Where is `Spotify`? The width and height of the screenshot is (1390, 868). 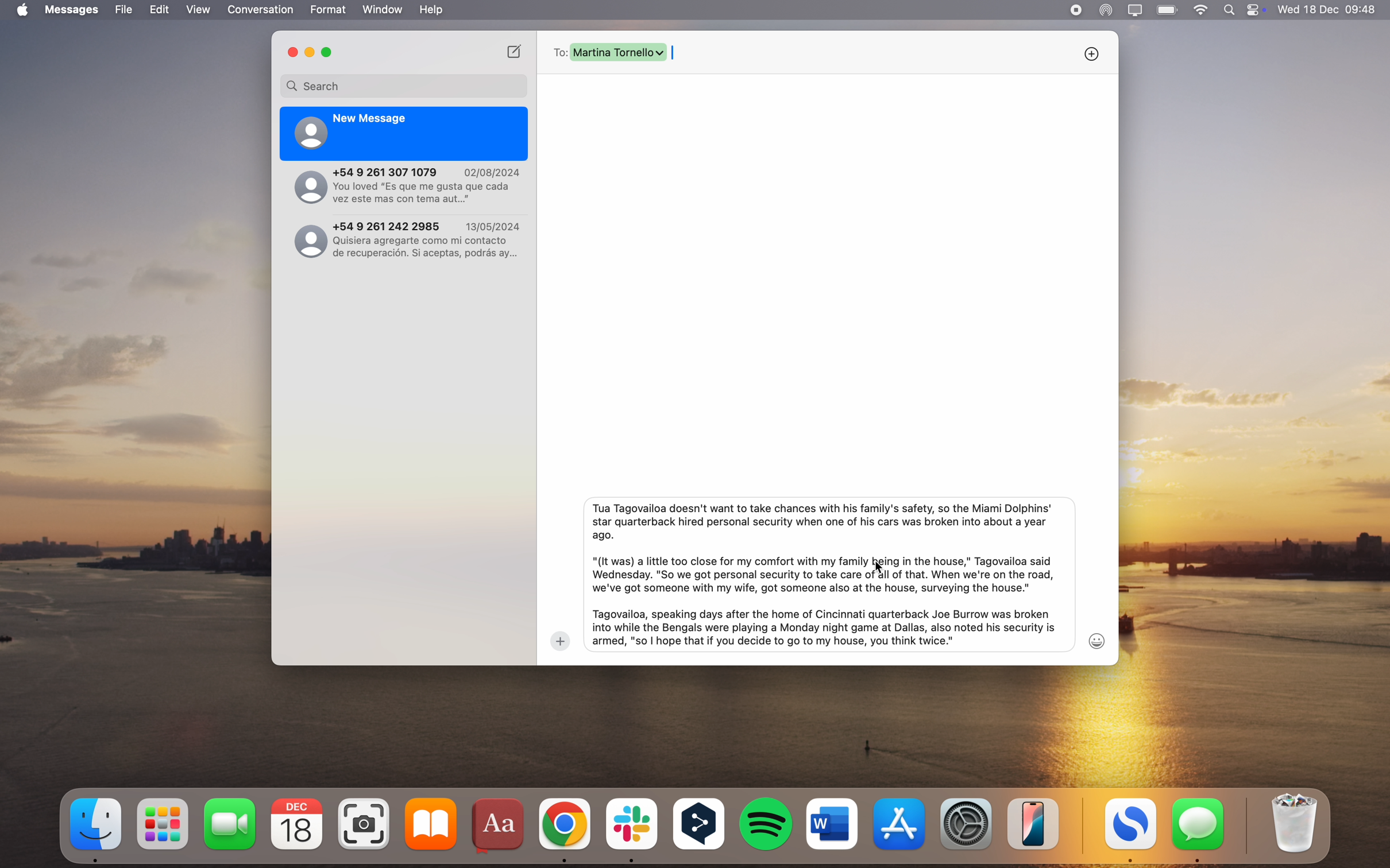
Spotify is located at coordinates (767, 824).